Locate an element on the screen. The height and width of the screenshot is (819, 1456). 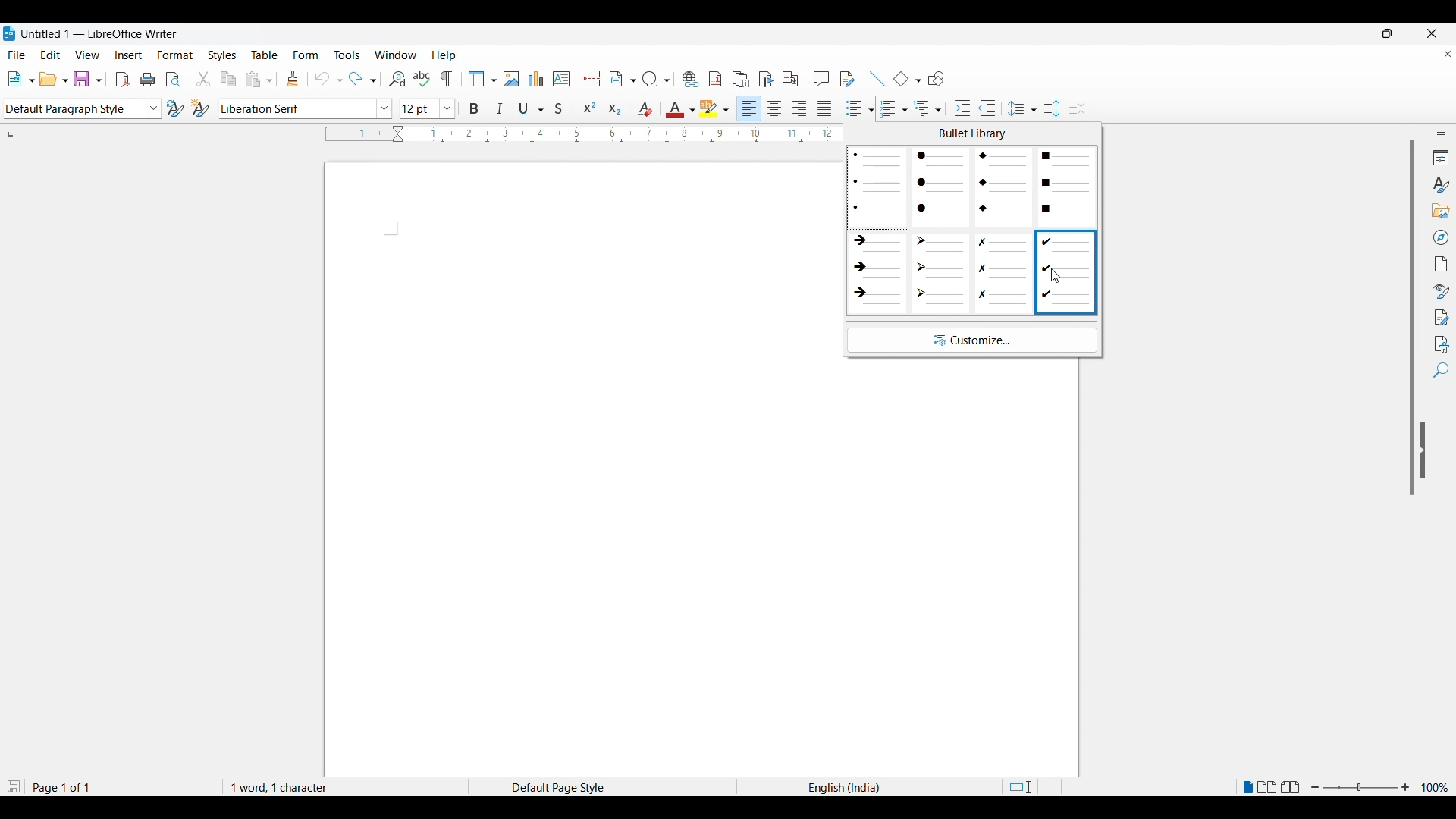
save document is located at coordinates (87, 78).